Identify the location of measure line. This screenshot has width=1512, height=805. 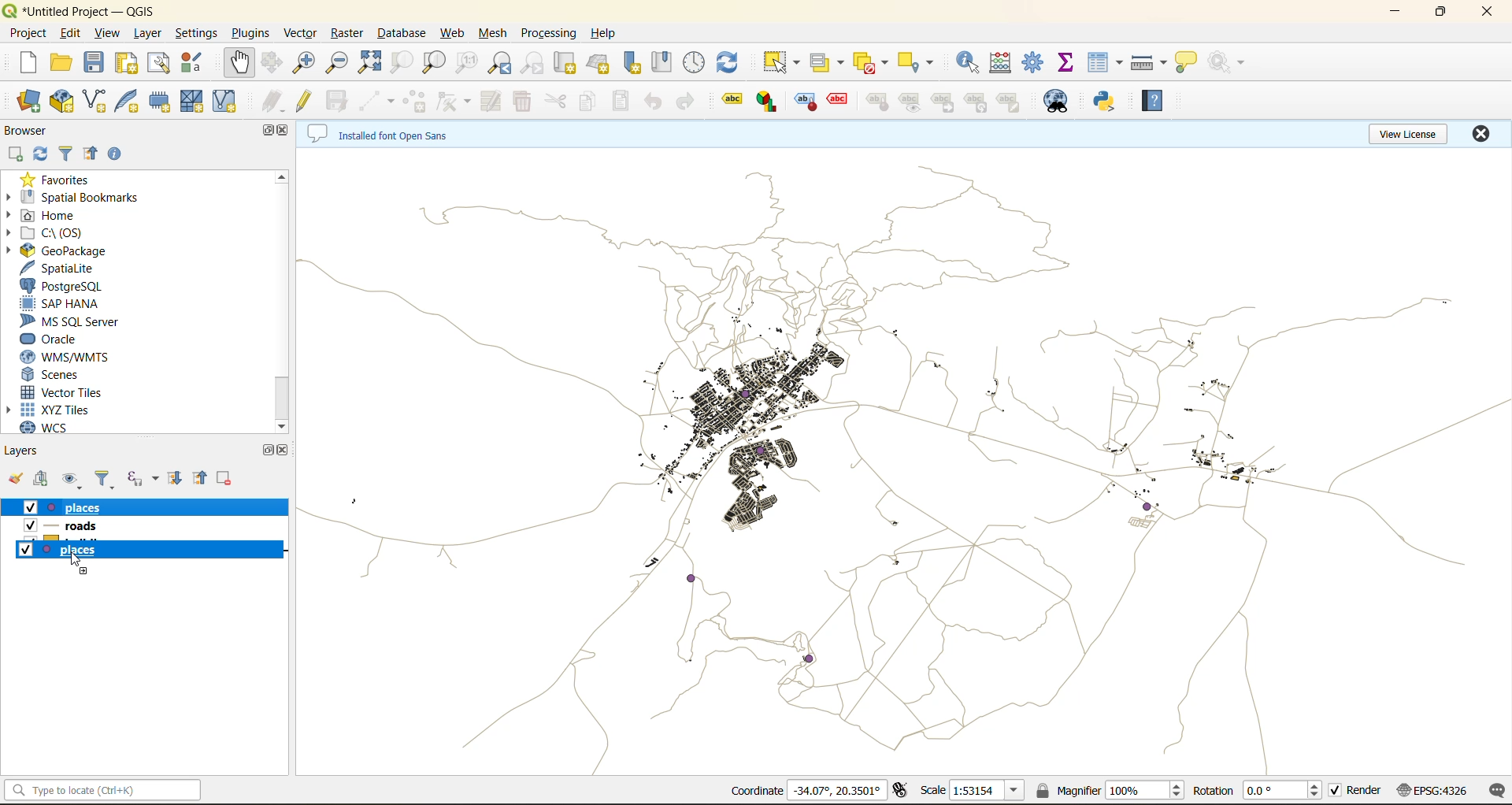
(1151, 65).